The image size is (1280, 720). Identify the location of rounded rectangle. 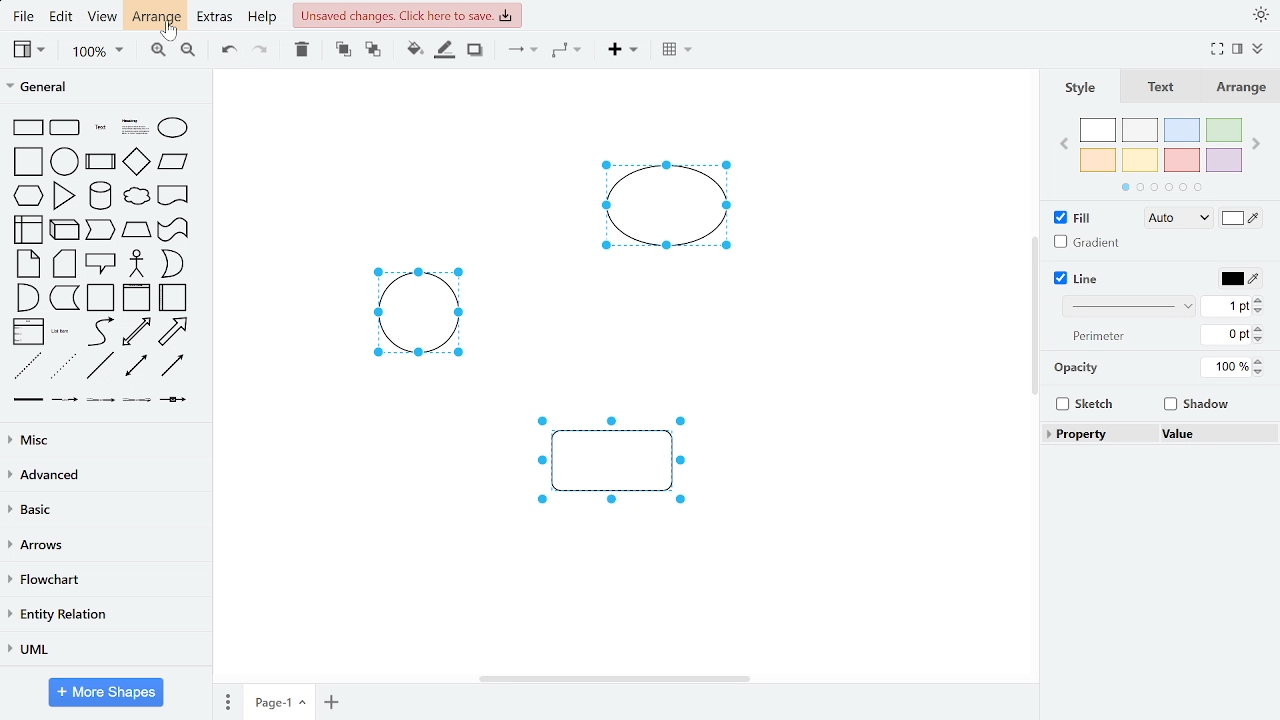
(66, 127).